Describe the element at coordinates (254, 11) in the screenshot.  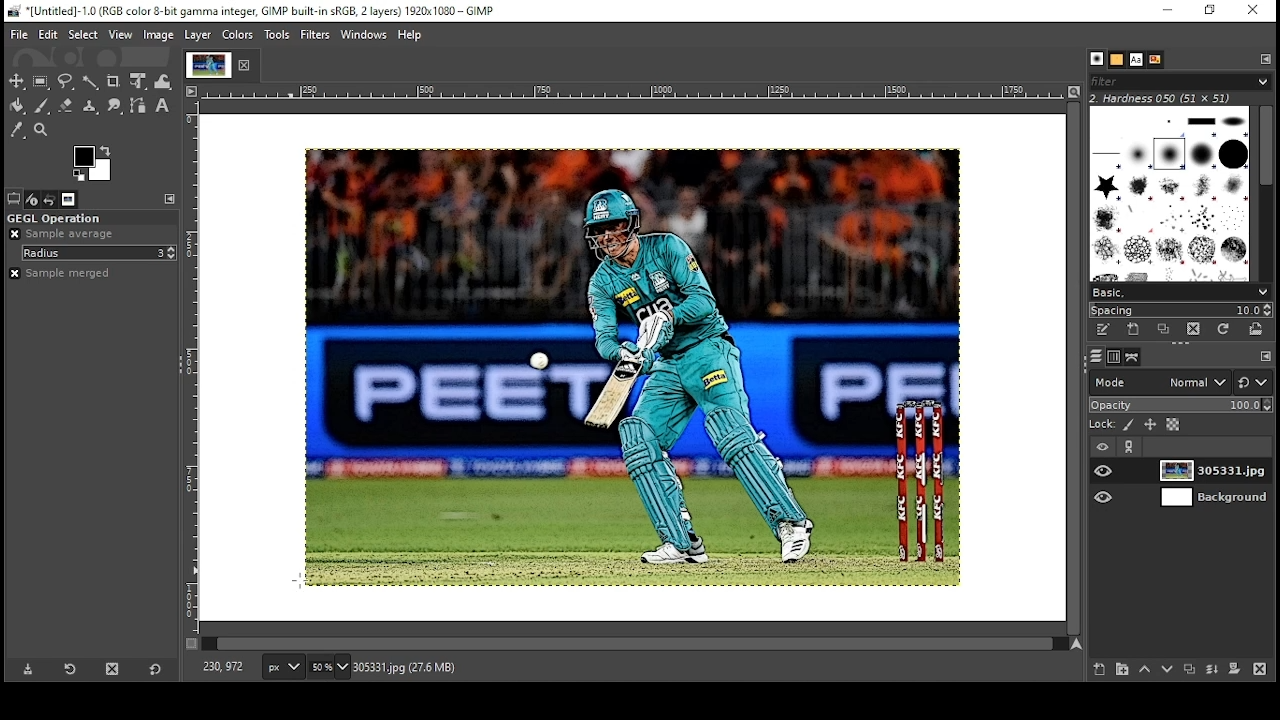
I see `icon and filename` at that location.